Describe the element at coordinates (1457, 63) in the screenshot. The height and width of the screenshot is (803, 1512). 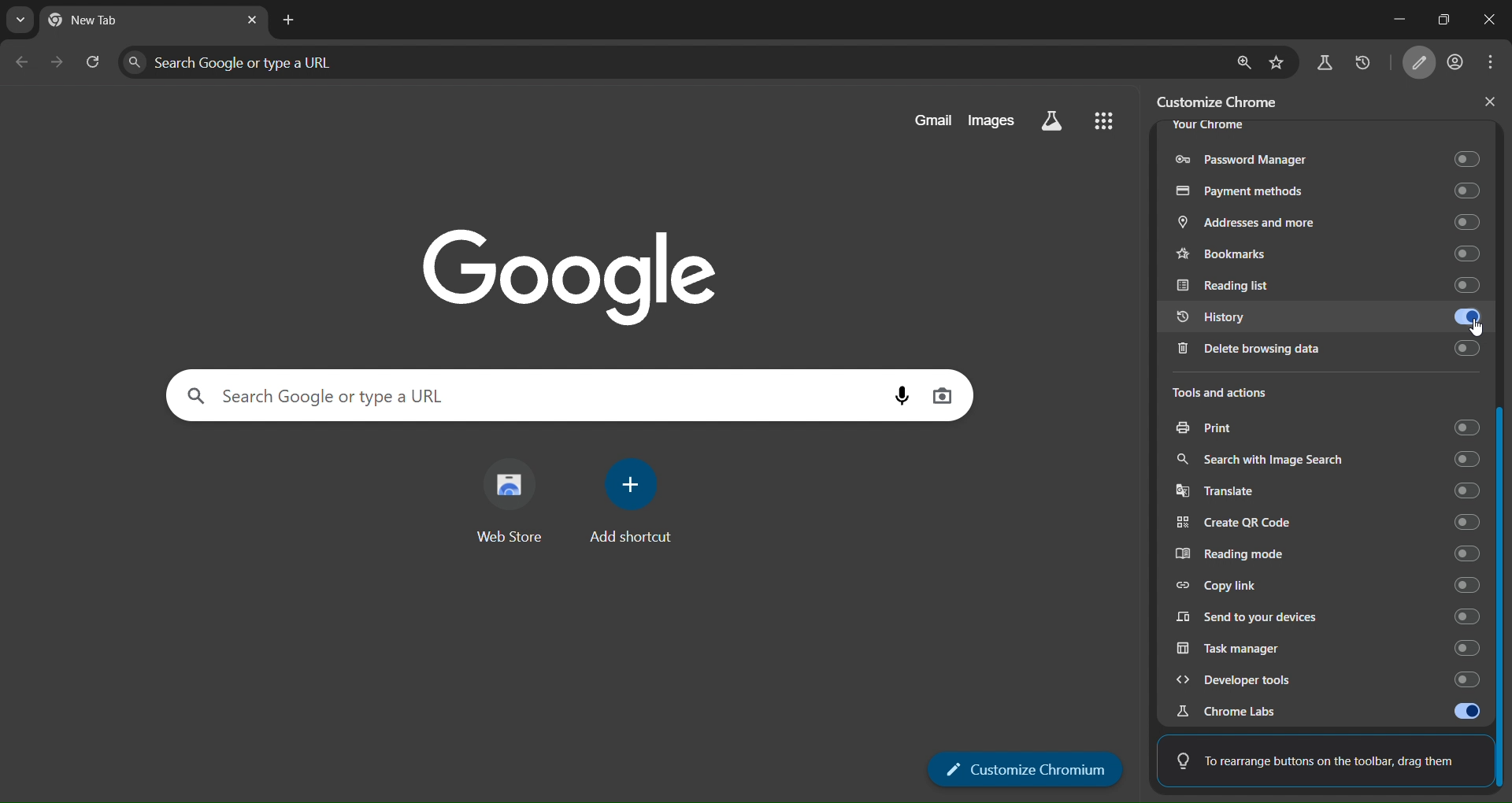
I see `account` at that location.